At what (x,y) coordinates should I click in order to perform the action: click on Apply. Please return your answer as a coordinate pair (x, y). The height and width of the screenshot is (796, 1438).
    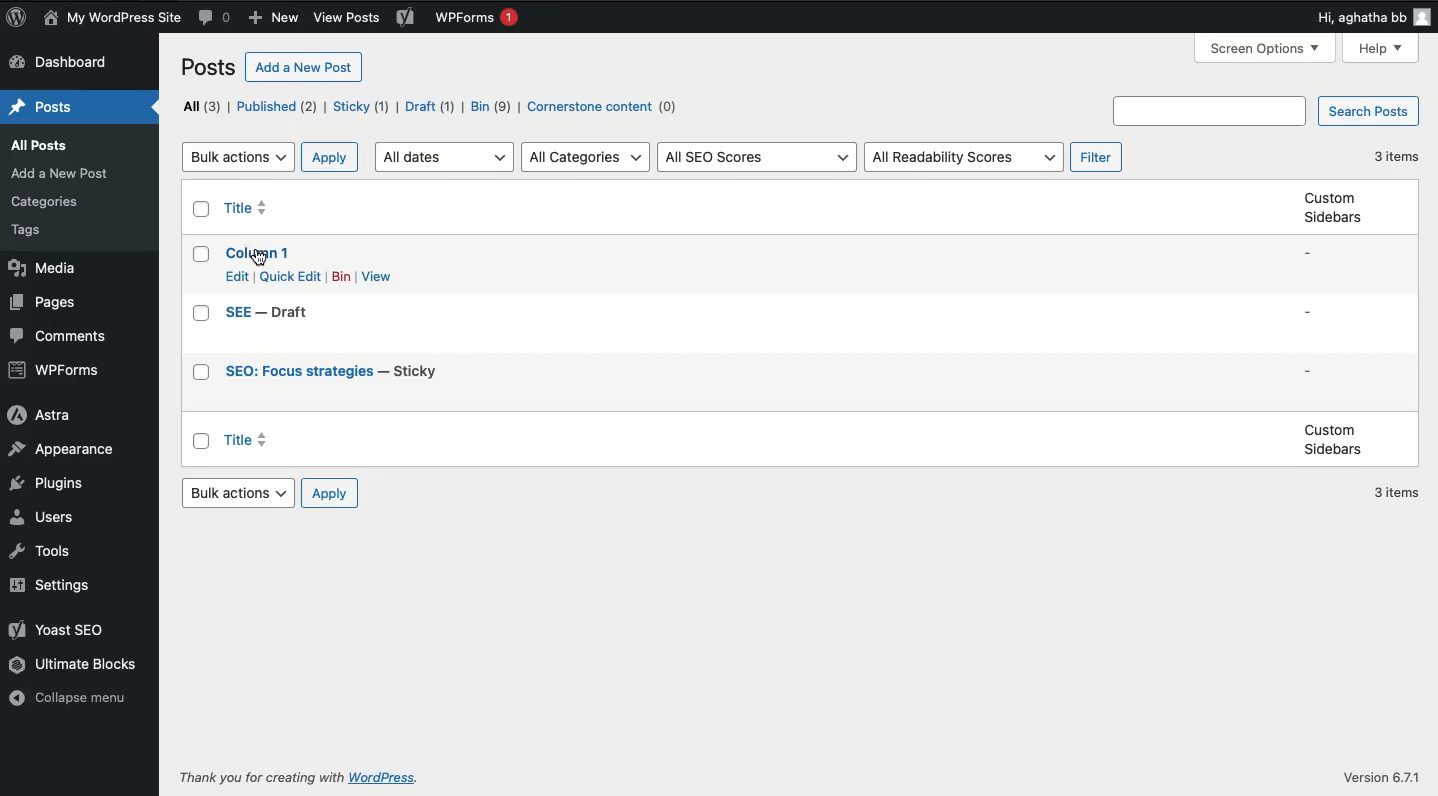
    Looking at the image, I should click on (329, 157).